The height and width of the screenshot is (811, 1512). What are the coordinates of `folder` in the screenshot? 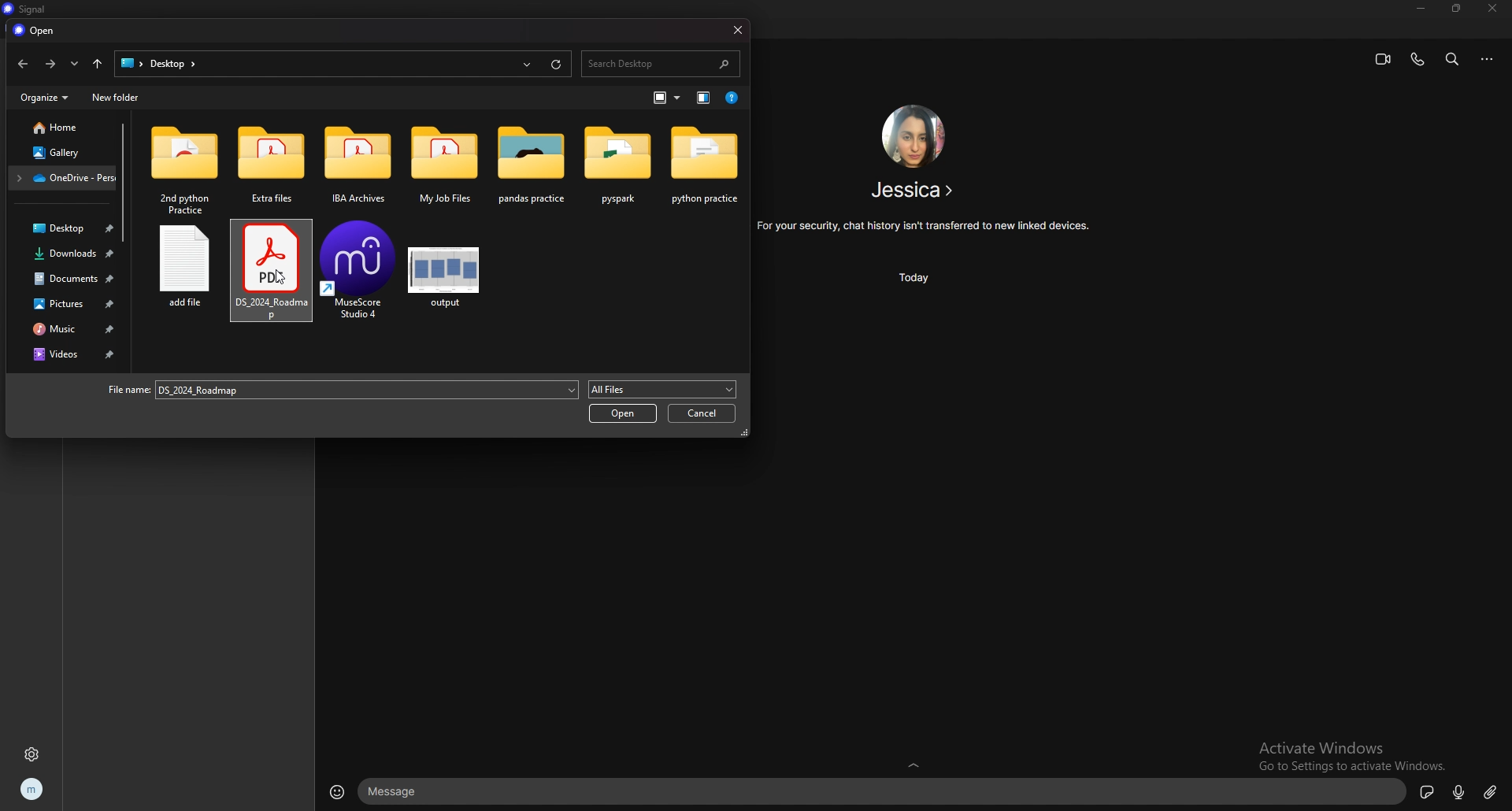 It's located at (185, 171).